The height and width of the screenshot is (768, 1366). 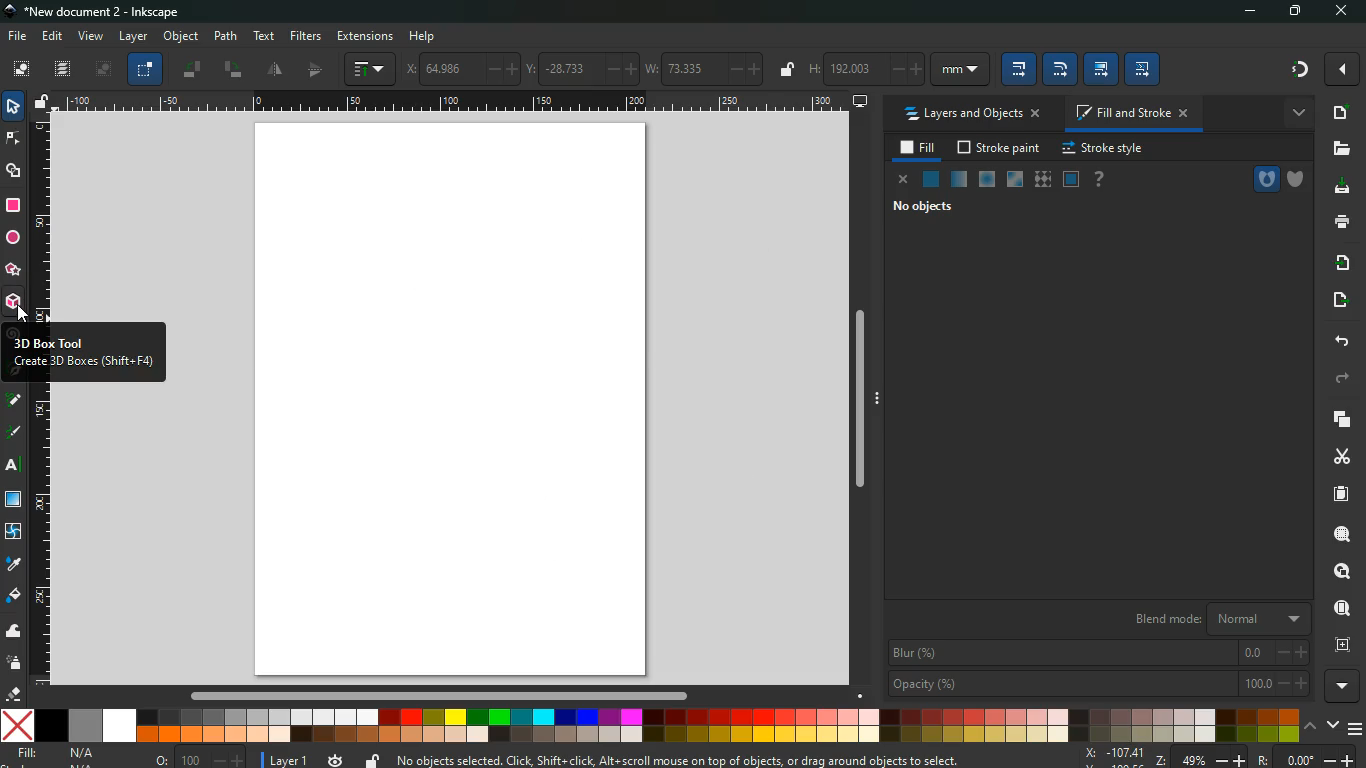 I want to click on paper, so click(x=1339, y=494).